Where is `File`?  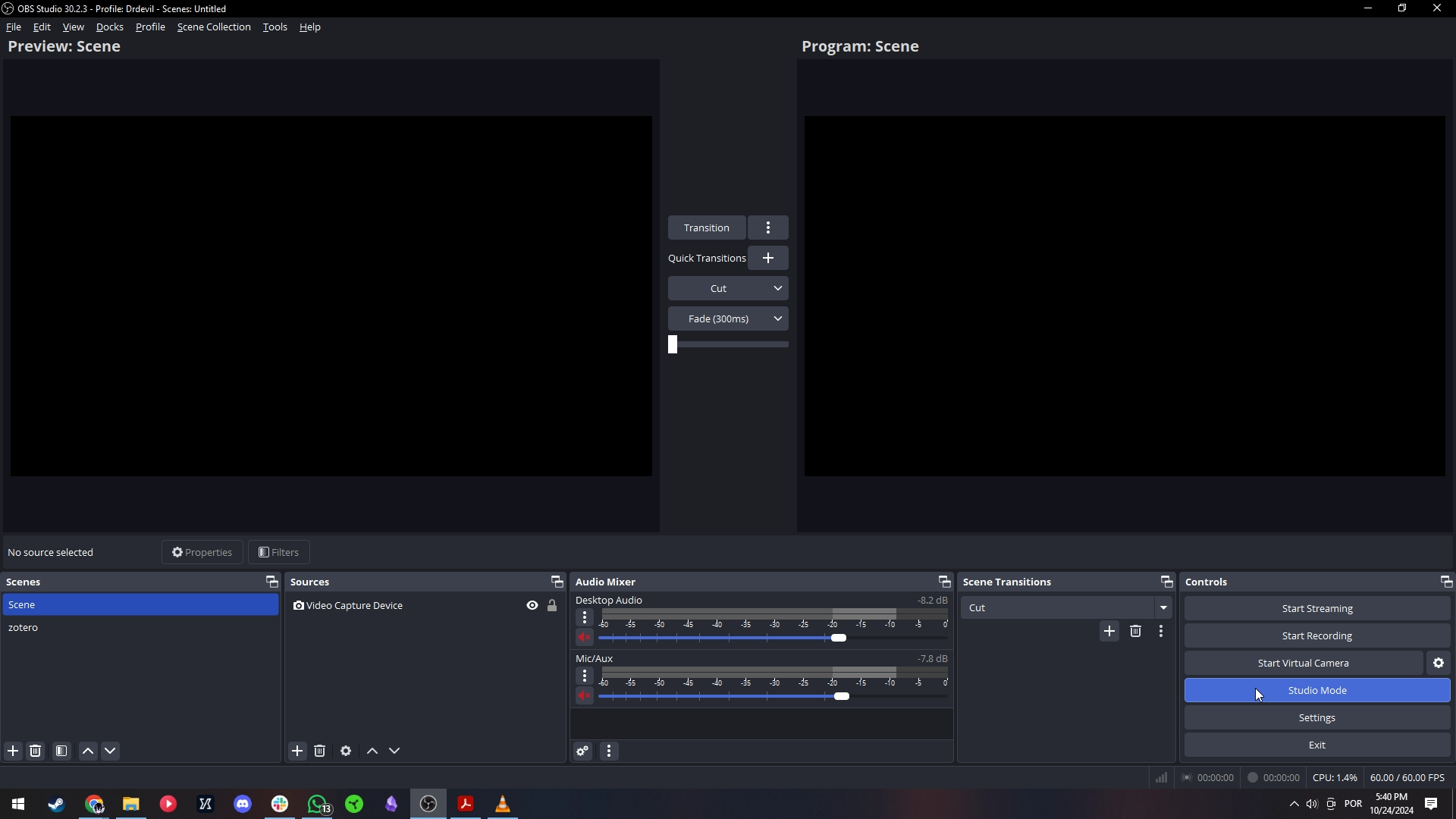 File is located at coordinates (14, 27).